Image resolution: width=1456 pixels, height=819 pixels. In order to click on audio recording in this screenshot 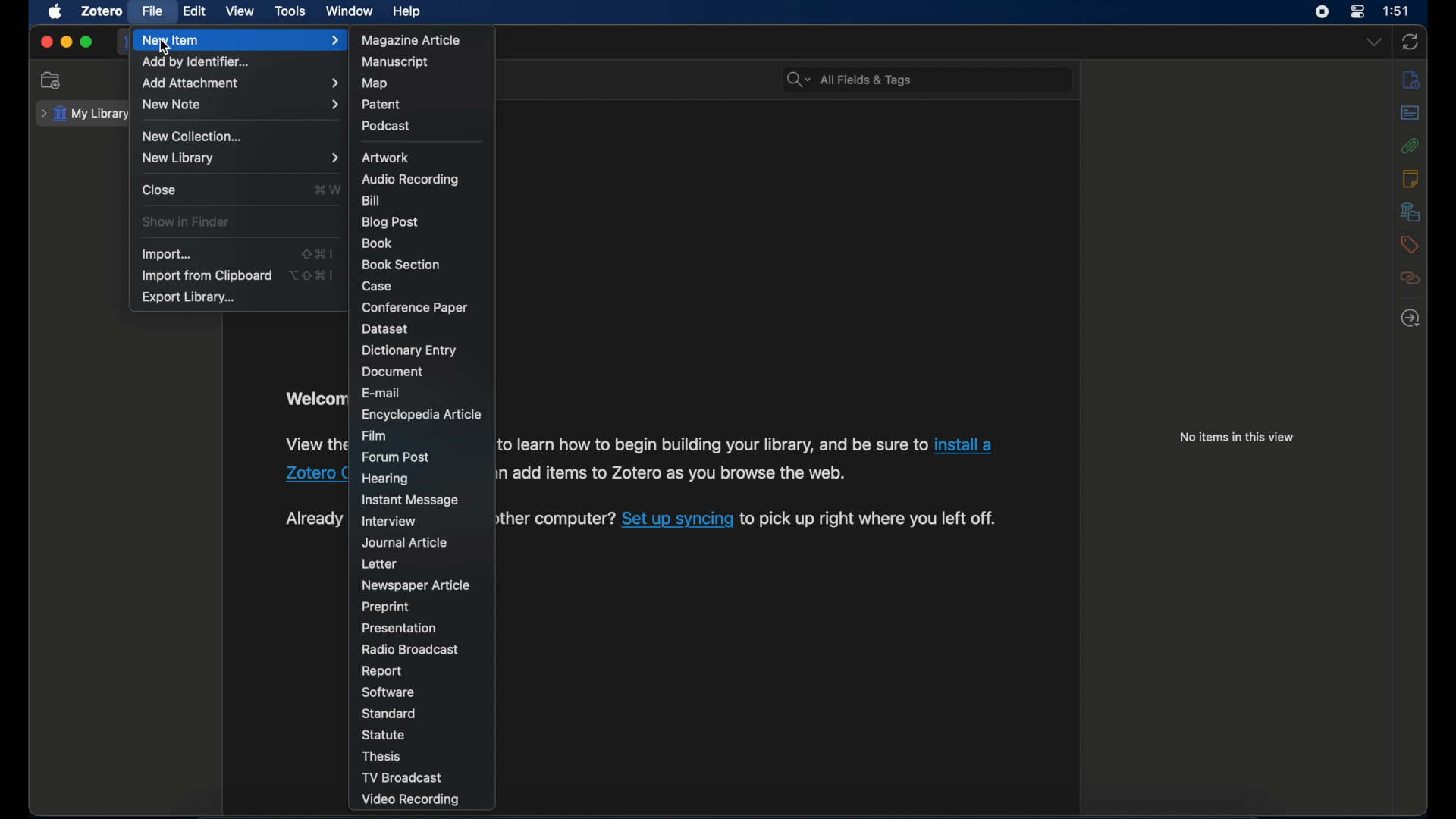, I will do `click(413, 179)`.